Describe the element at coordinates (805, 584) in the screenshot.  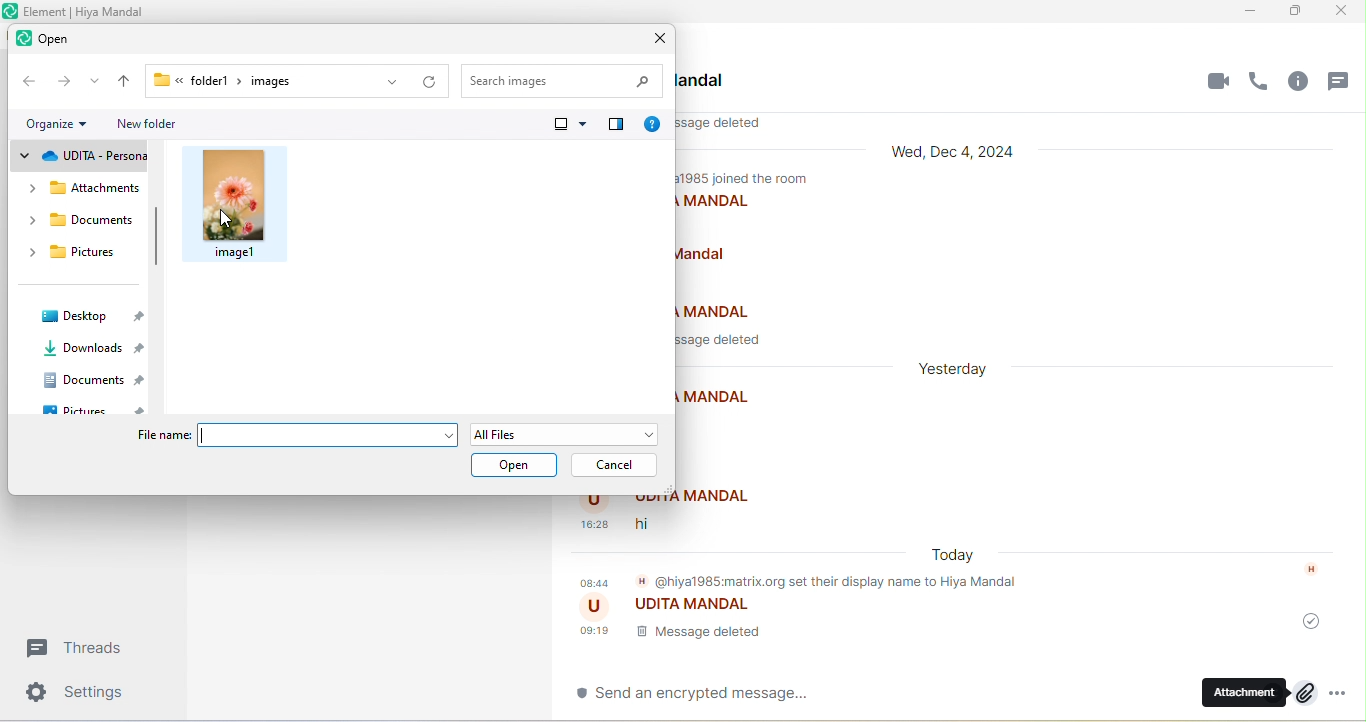
I see `@hiya1985matrix.org set their display name to hiya mandal` at that location.